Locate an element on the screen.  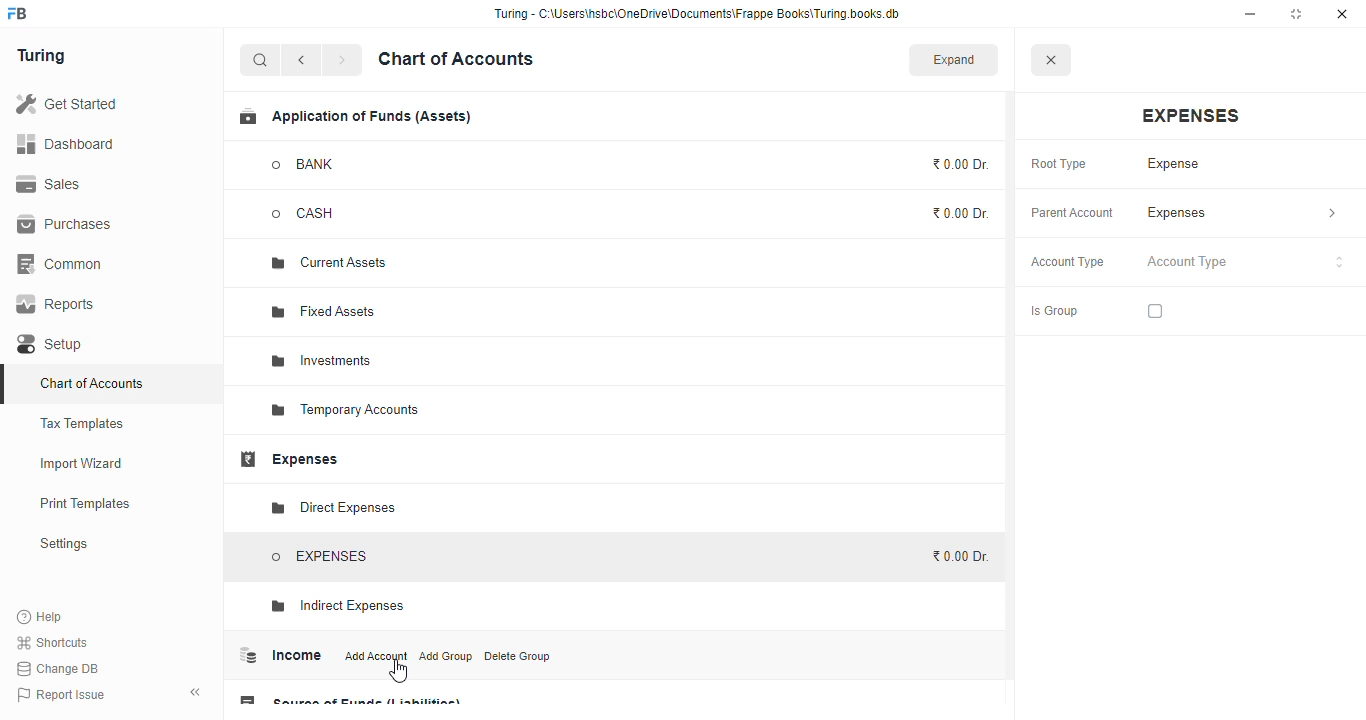
current assets is located at coordinates (329, 264).